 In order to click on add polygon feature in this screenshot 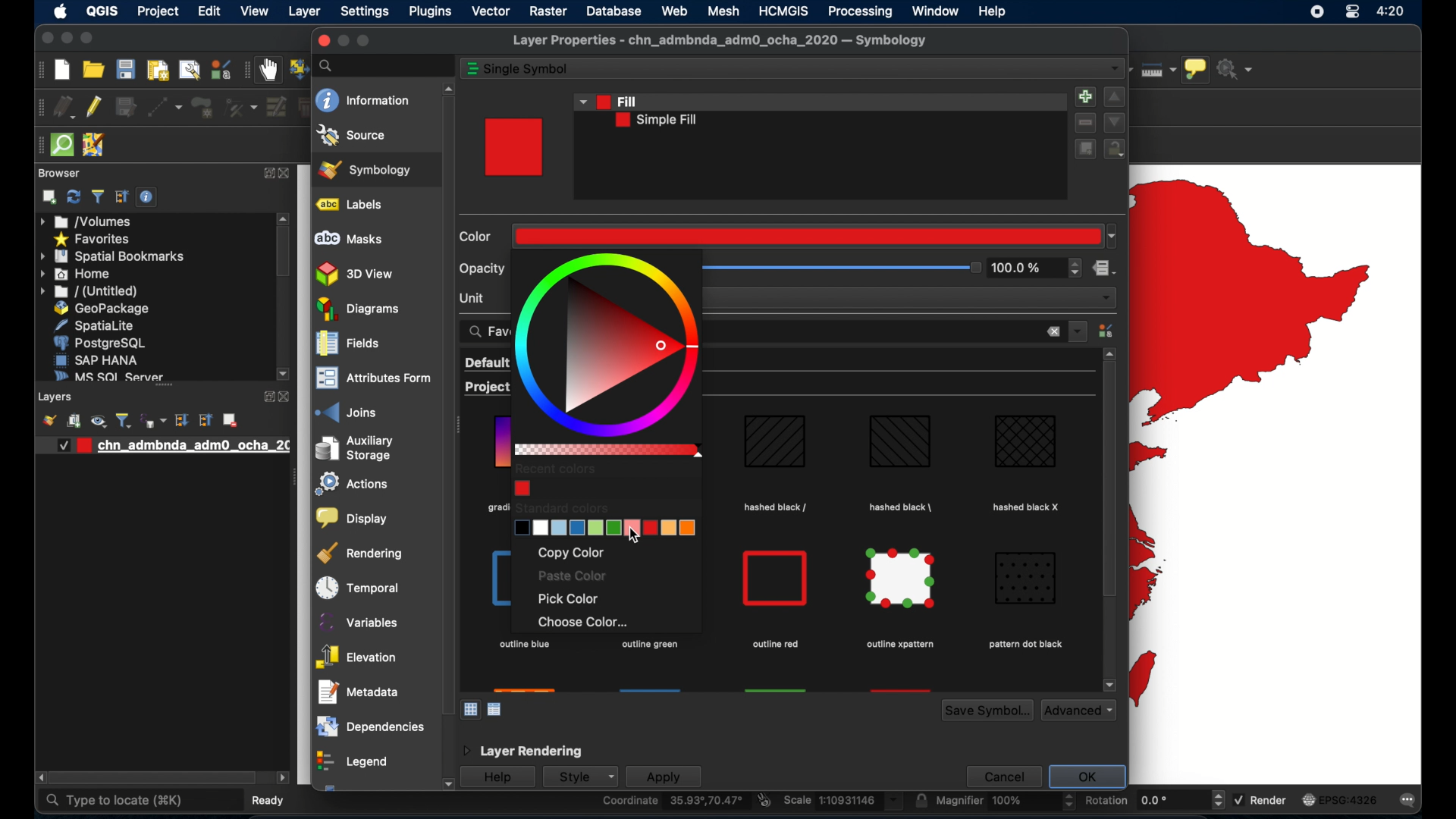, I will do `click(204, 108)`.